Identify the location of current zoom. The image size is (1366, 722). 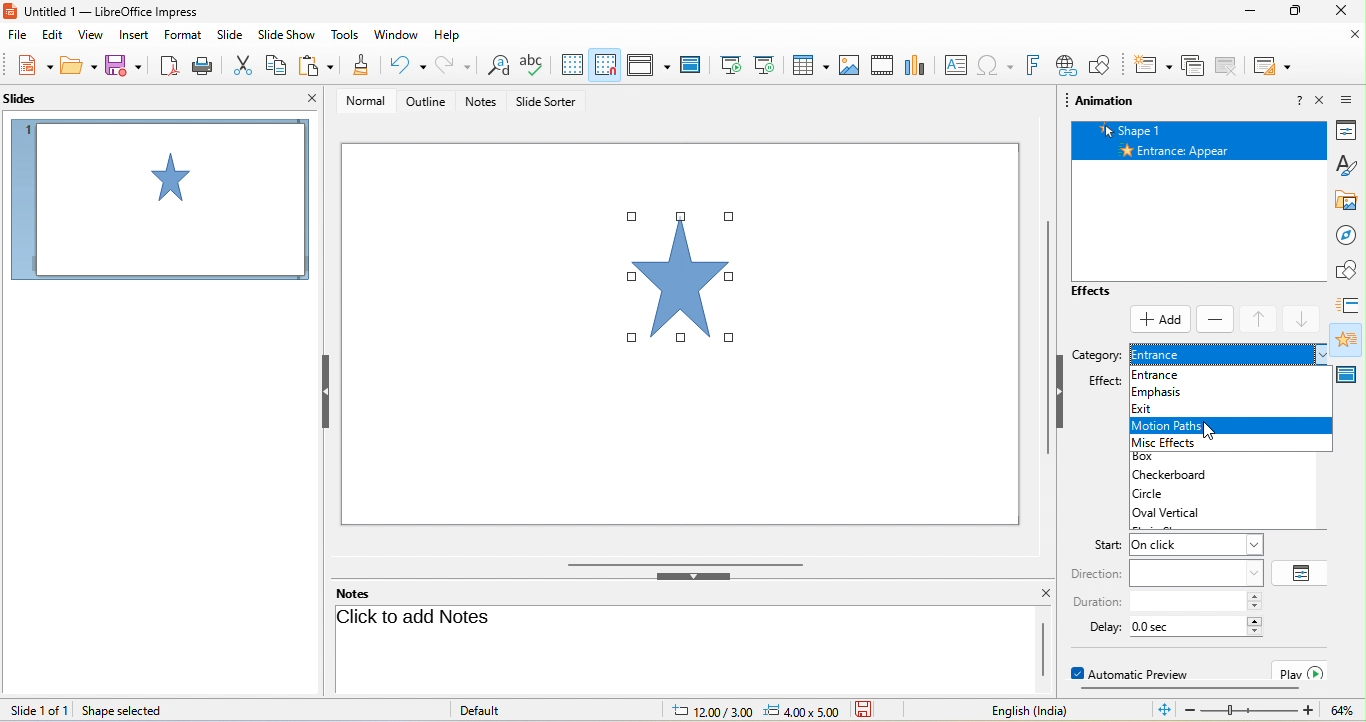
(1342, 710).